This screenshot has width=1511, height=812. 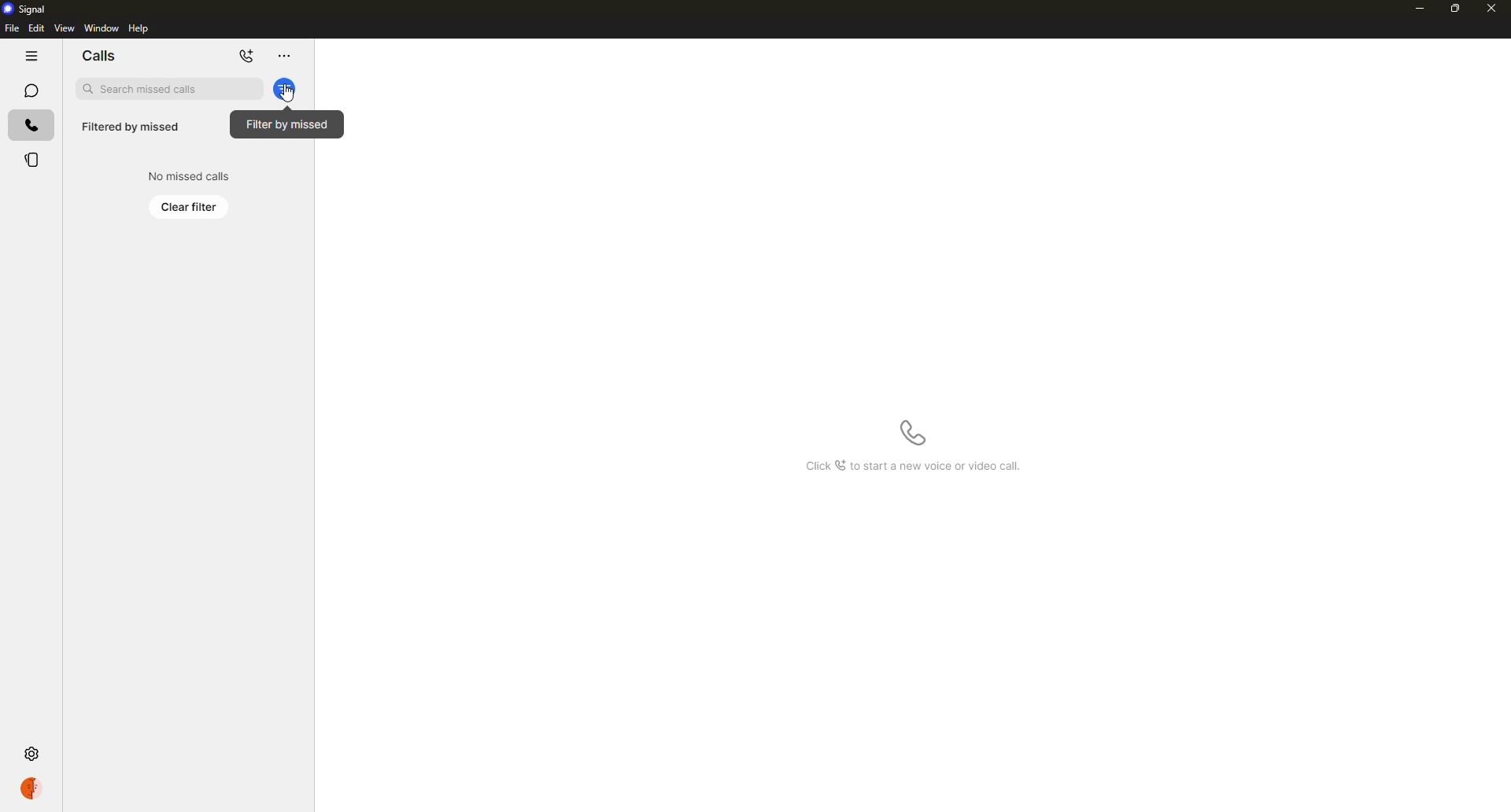 What do you see at coordinates (190, 206) in the screenshot?
I see `clear filter` at bounding box center [190, 206].